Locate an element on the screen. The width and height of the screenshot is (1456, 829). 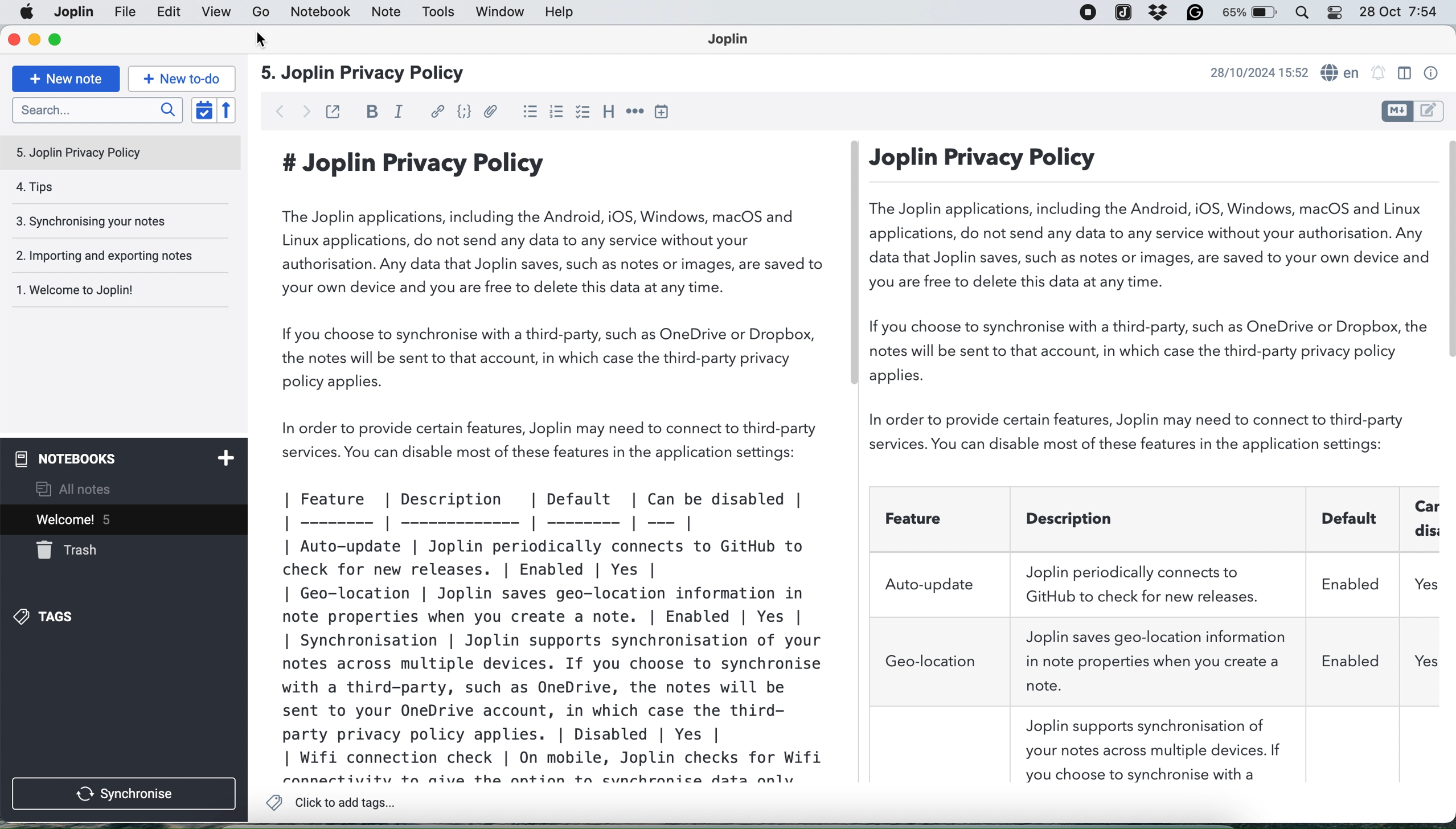
notebooks is located at coordinates (69, 458).